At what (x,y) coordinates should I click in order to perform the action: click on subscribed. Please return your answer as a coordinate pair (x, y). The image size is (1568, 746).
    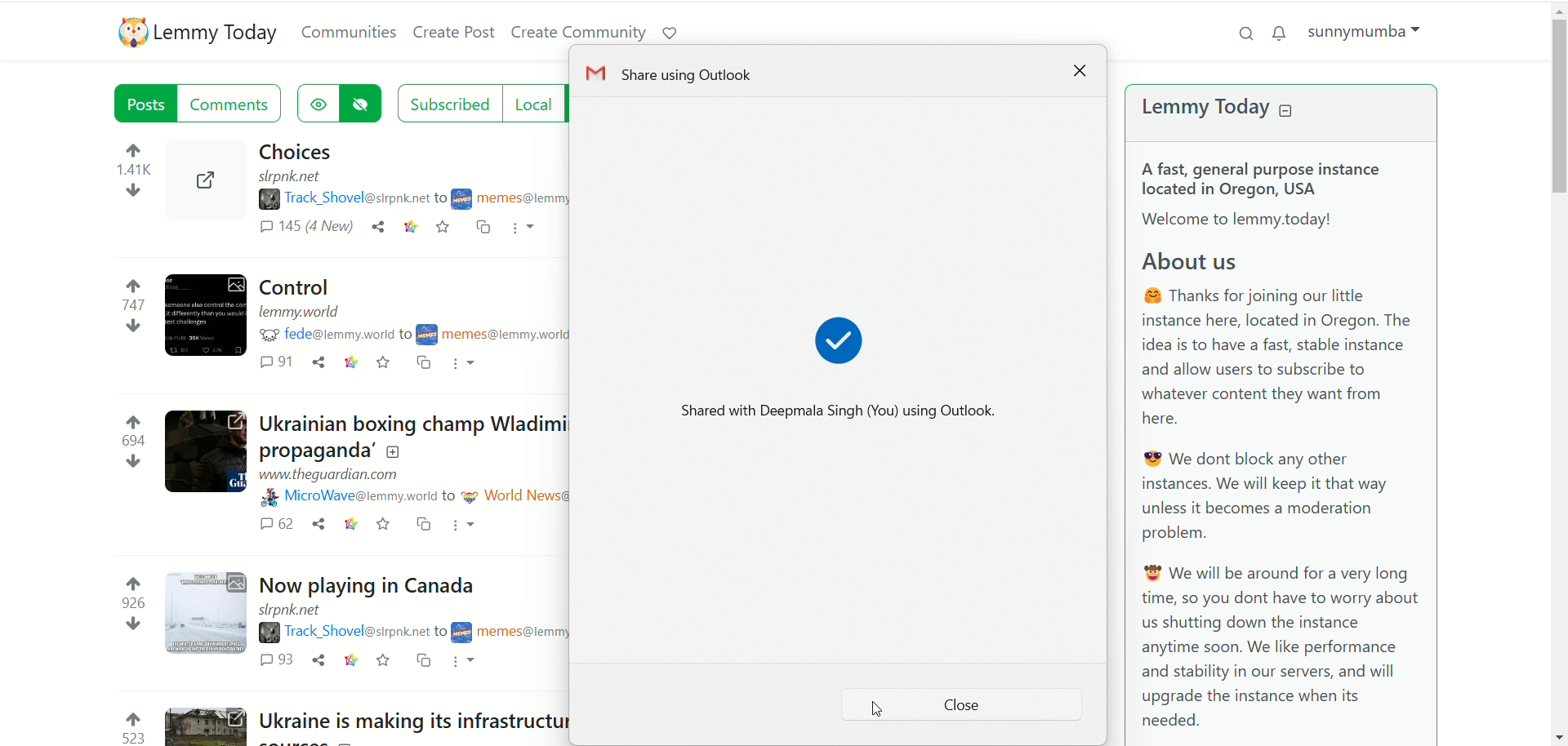
    Looking at the image, I should click on (447, 101).